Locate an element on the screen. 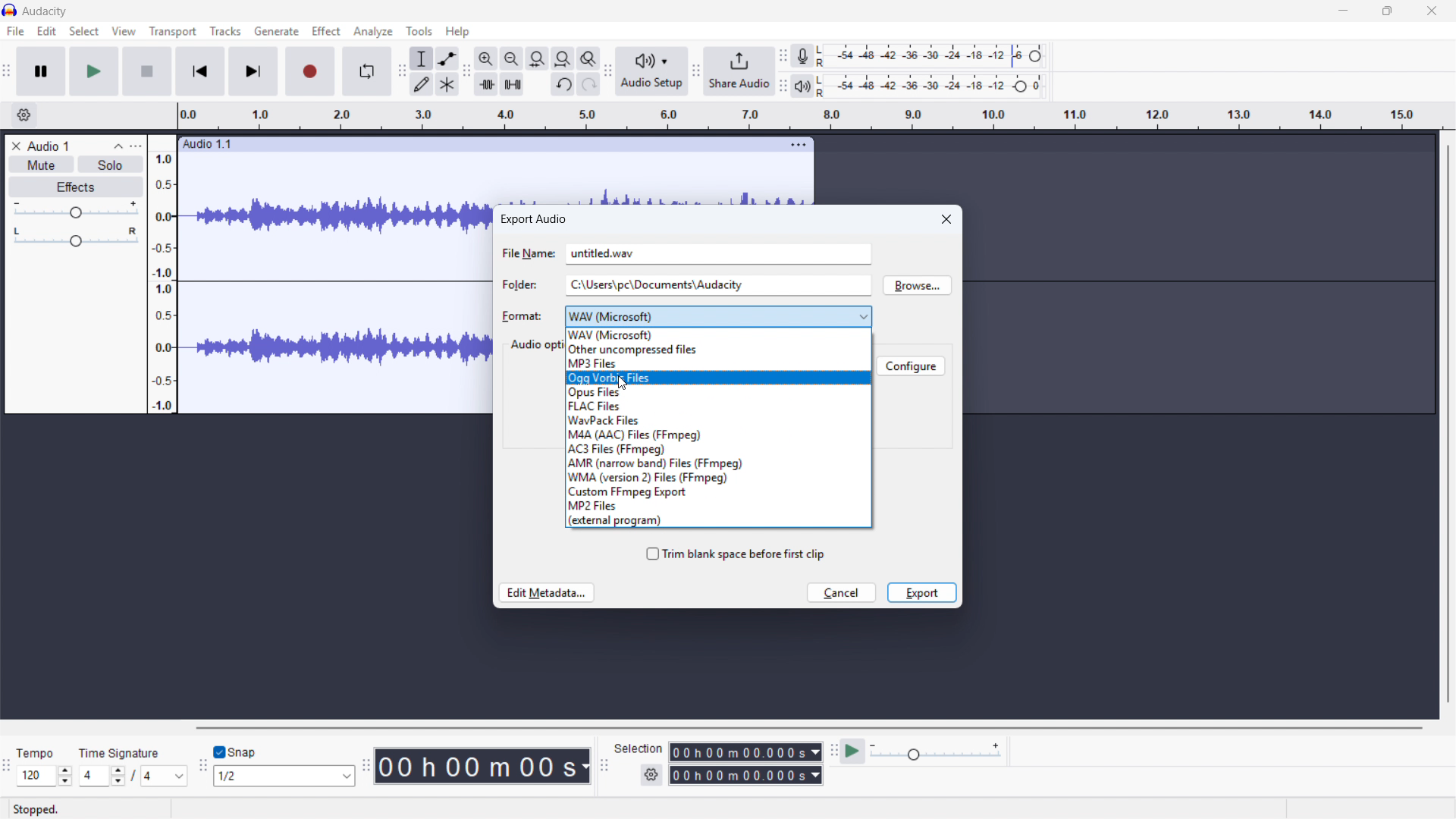 The height and width of the screenshot is (819, 1456). Browse location  is located at coordinates (918, 285).